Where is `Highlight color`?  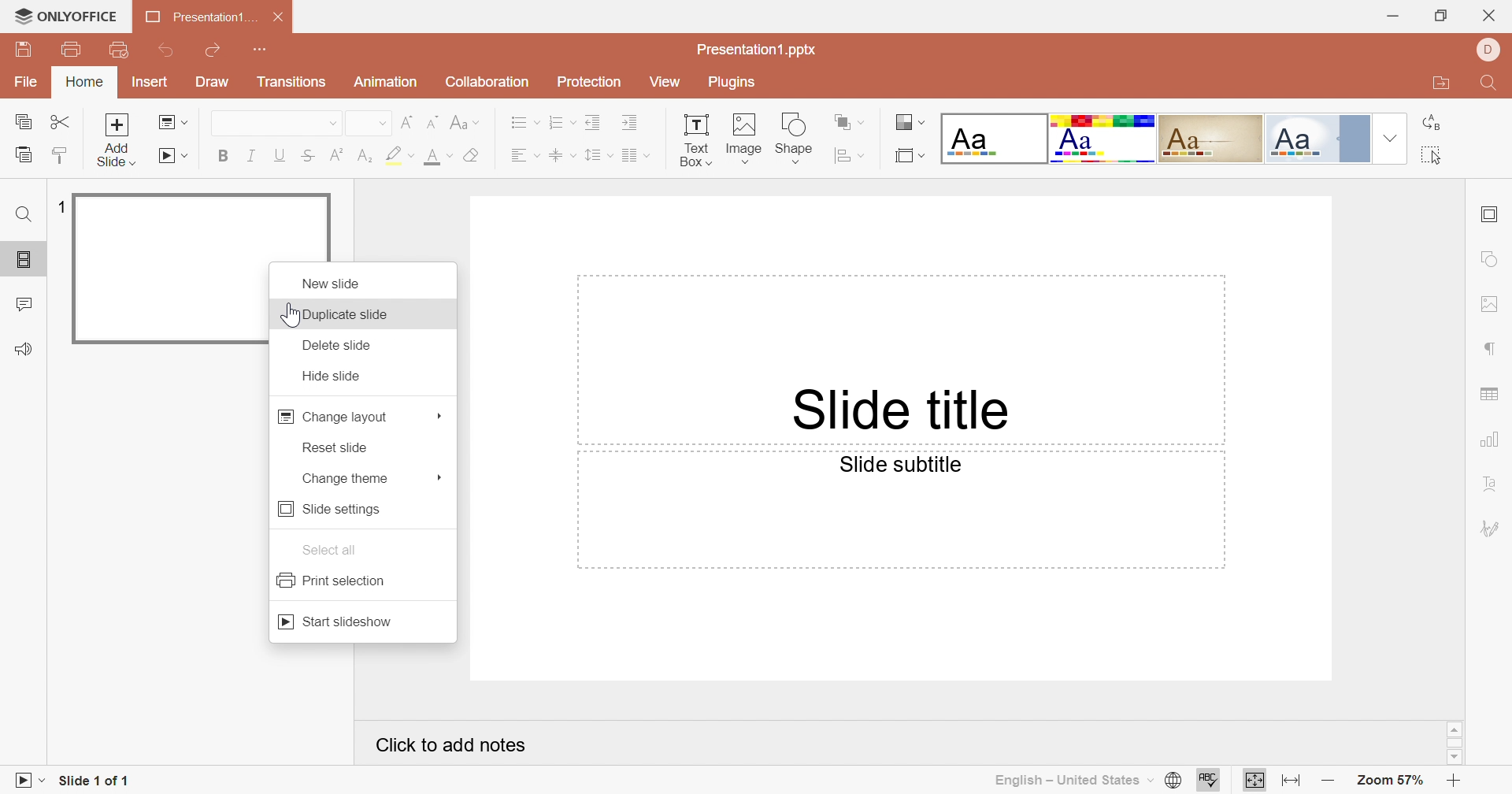
Highlight color is located at coordinates (391, 153).